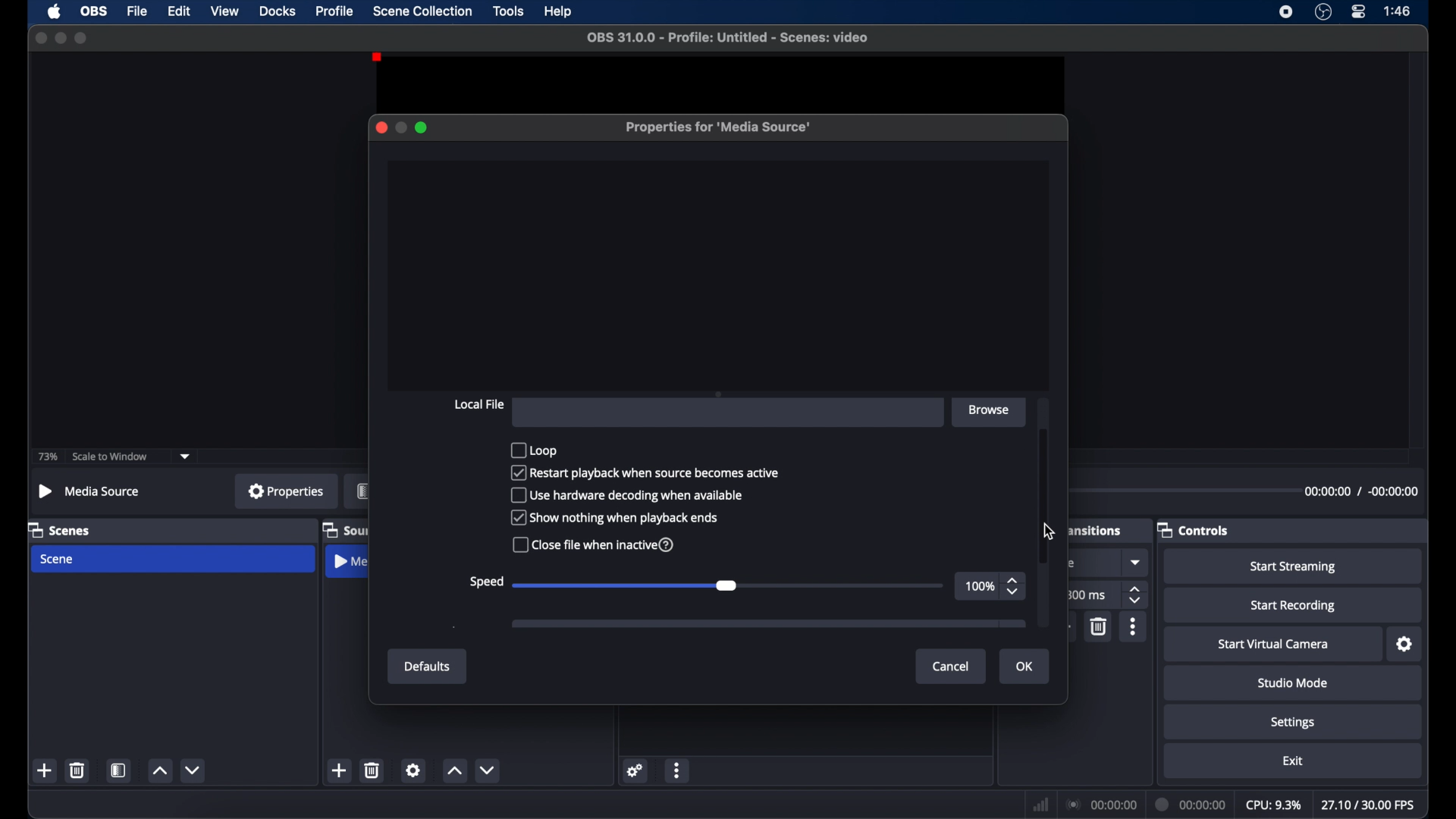 Image resolution: width=1456 pixels, height=819 pixels. Describe the element at coordinates (1359, 11) in the screenshot. I see `control center` at that location.